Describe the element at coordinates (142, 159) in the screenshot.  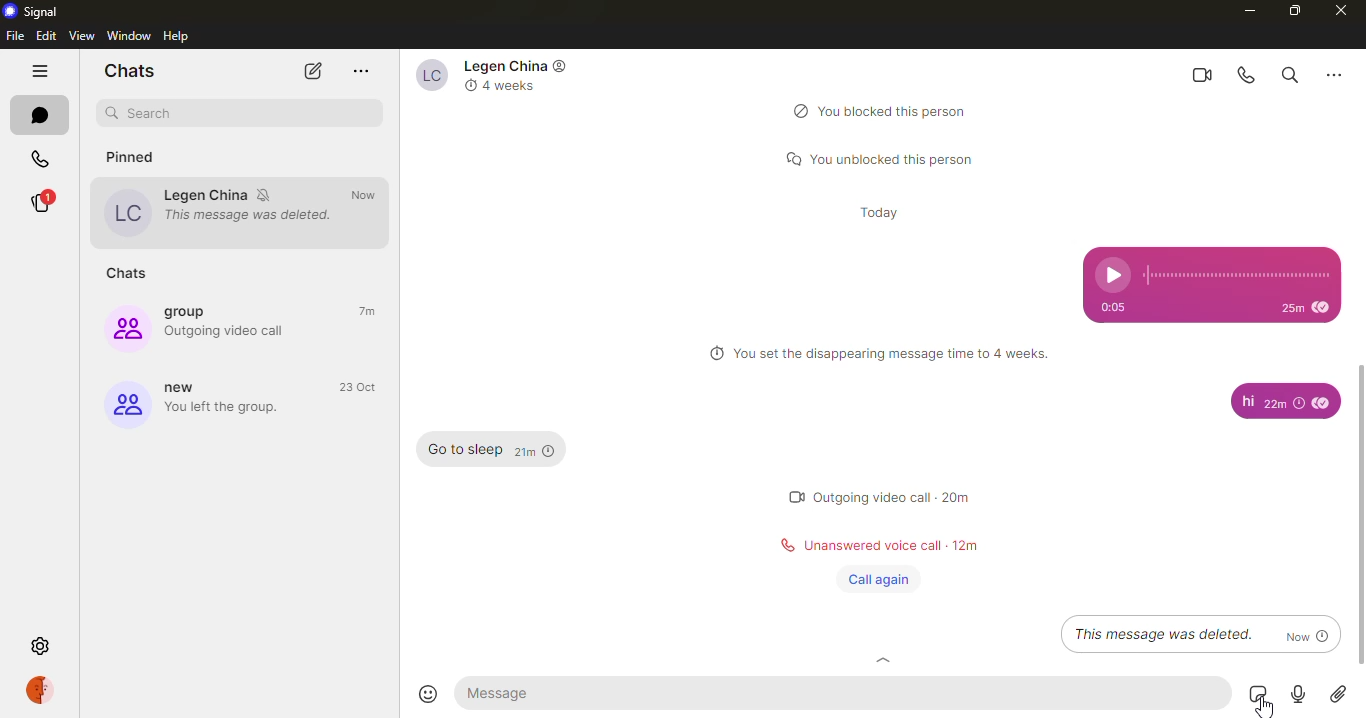
I see `pinned` at that location.